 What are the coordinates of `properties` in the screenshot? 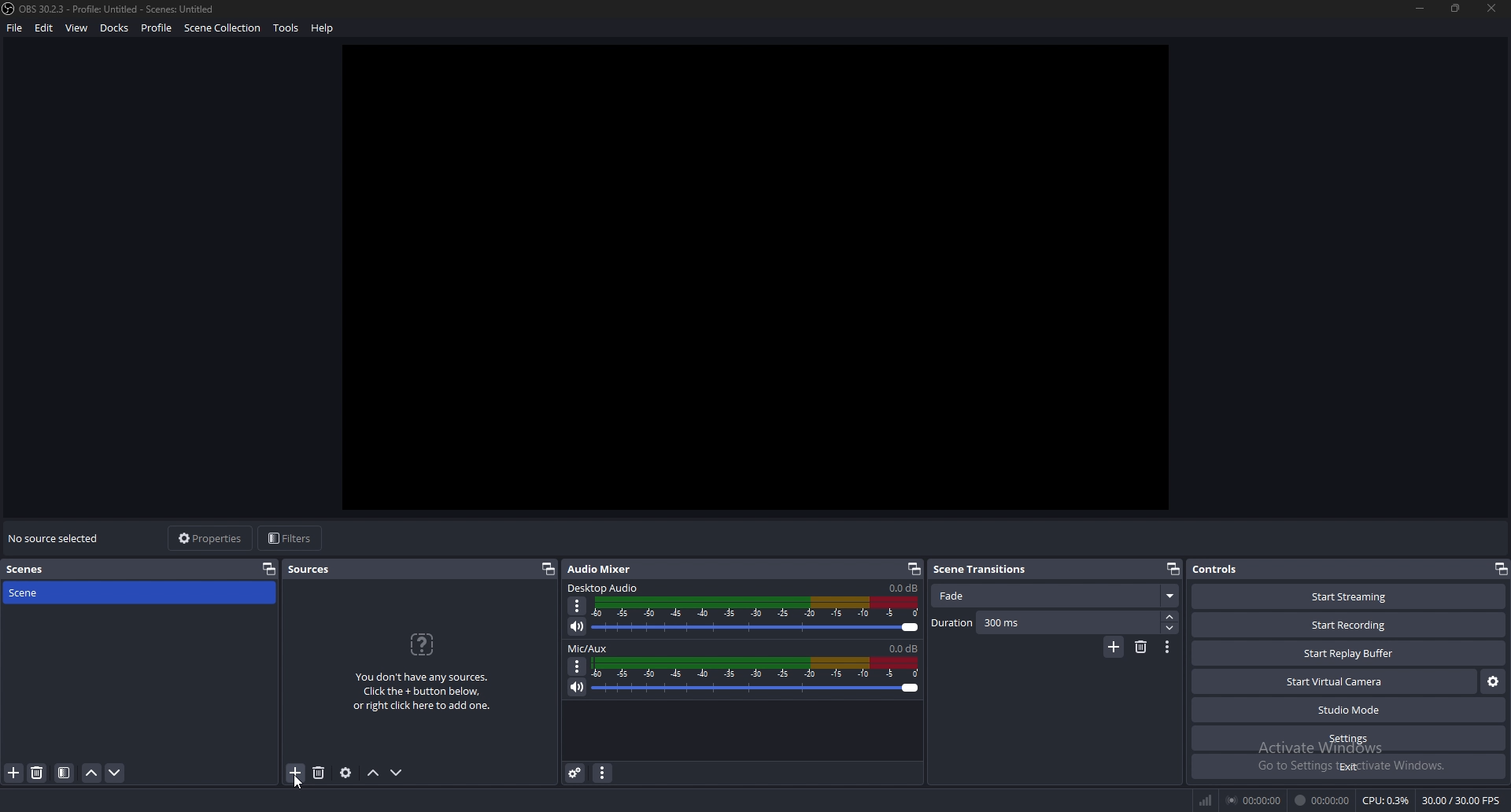 It's located at (211, 539).